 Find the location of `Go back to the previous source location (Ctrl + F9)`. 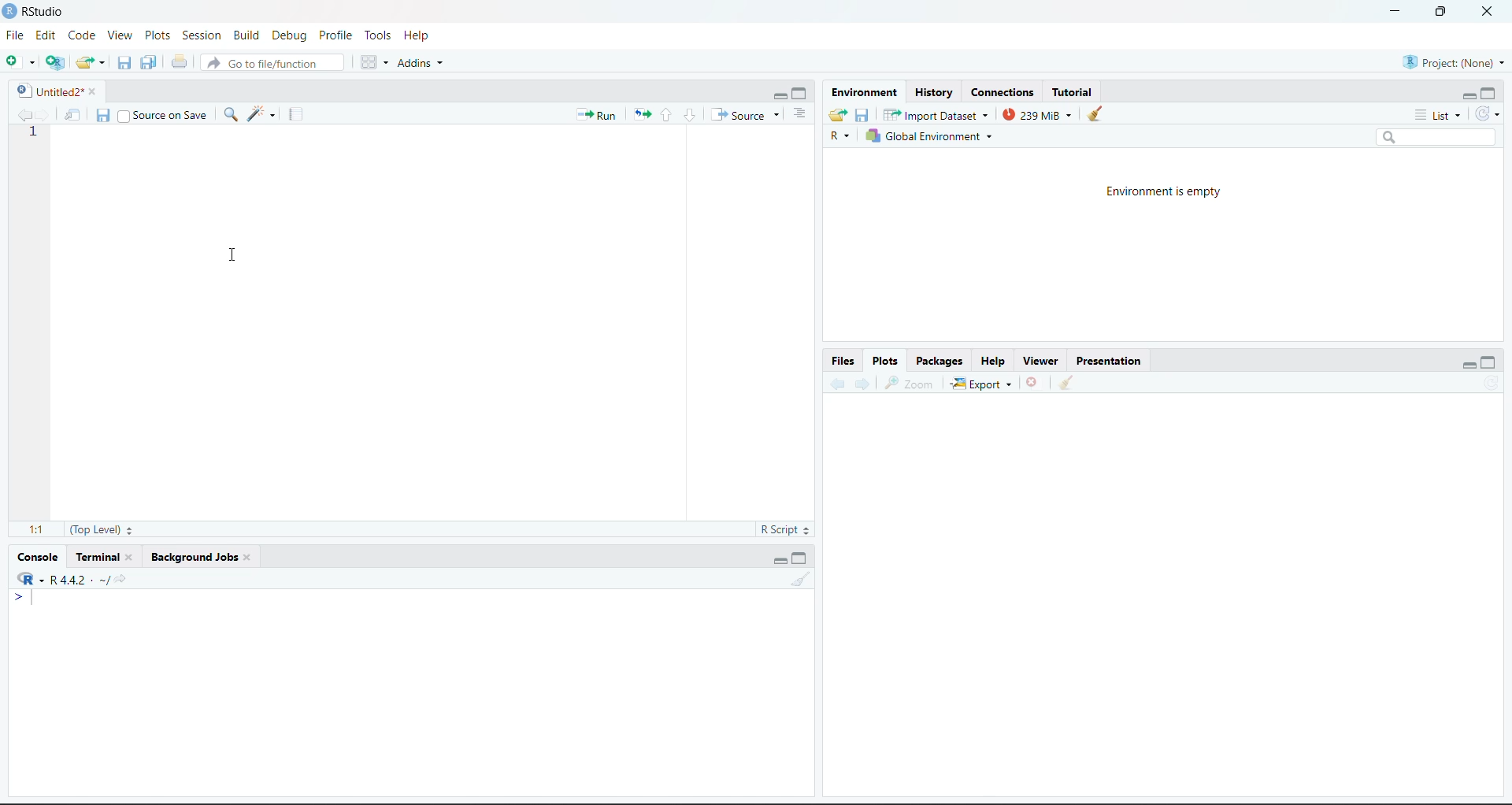

Go back to the previous source location (Ctrl + F9) is located at coordinates (23, 112).